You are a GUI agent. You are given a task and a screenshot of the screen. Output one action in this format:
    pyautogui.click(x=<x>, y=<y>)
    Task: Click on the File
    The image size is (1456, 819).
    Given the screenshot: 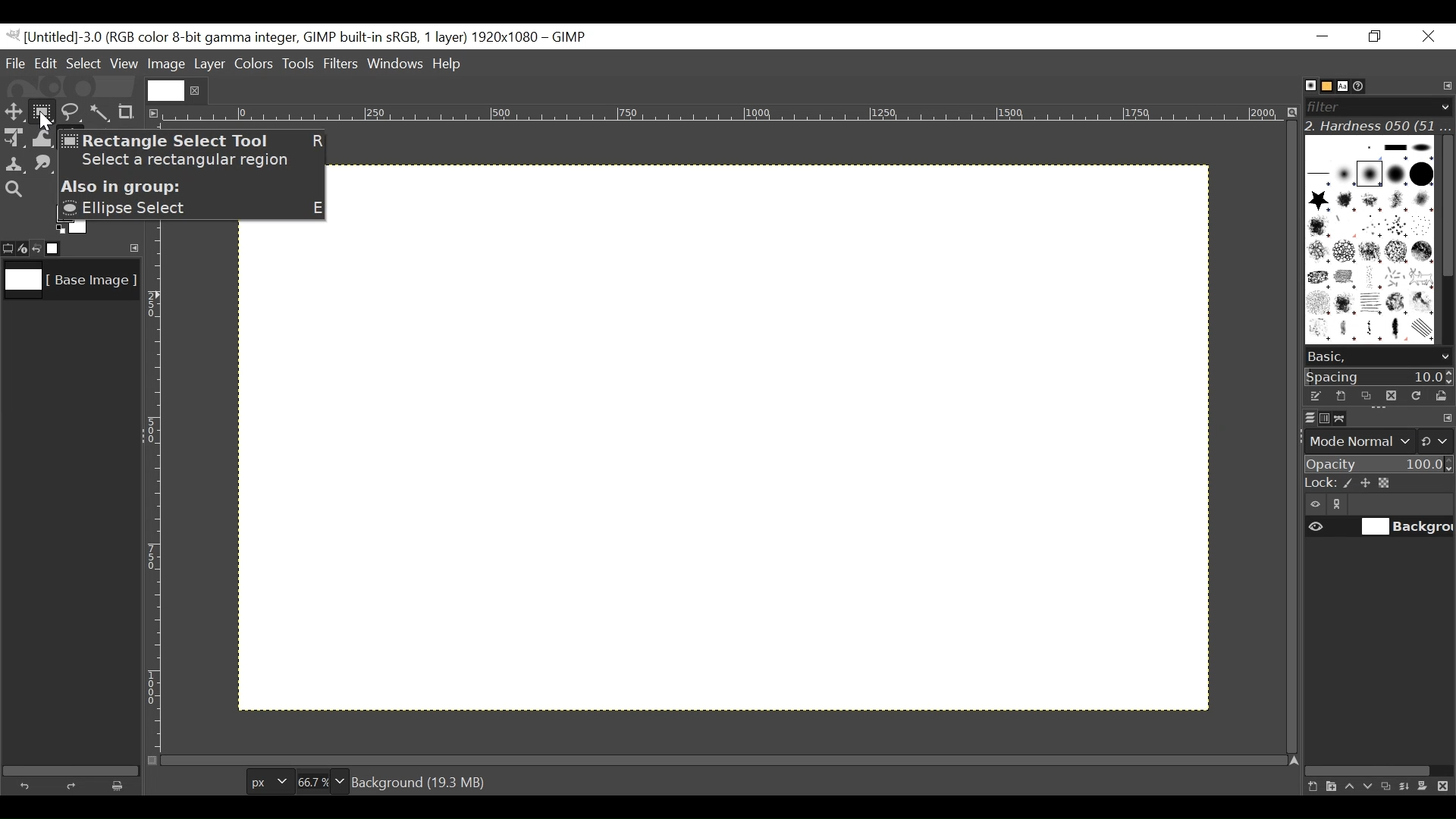 What is the action you would take?
    pyautogui.click(x=17, y=63)
    